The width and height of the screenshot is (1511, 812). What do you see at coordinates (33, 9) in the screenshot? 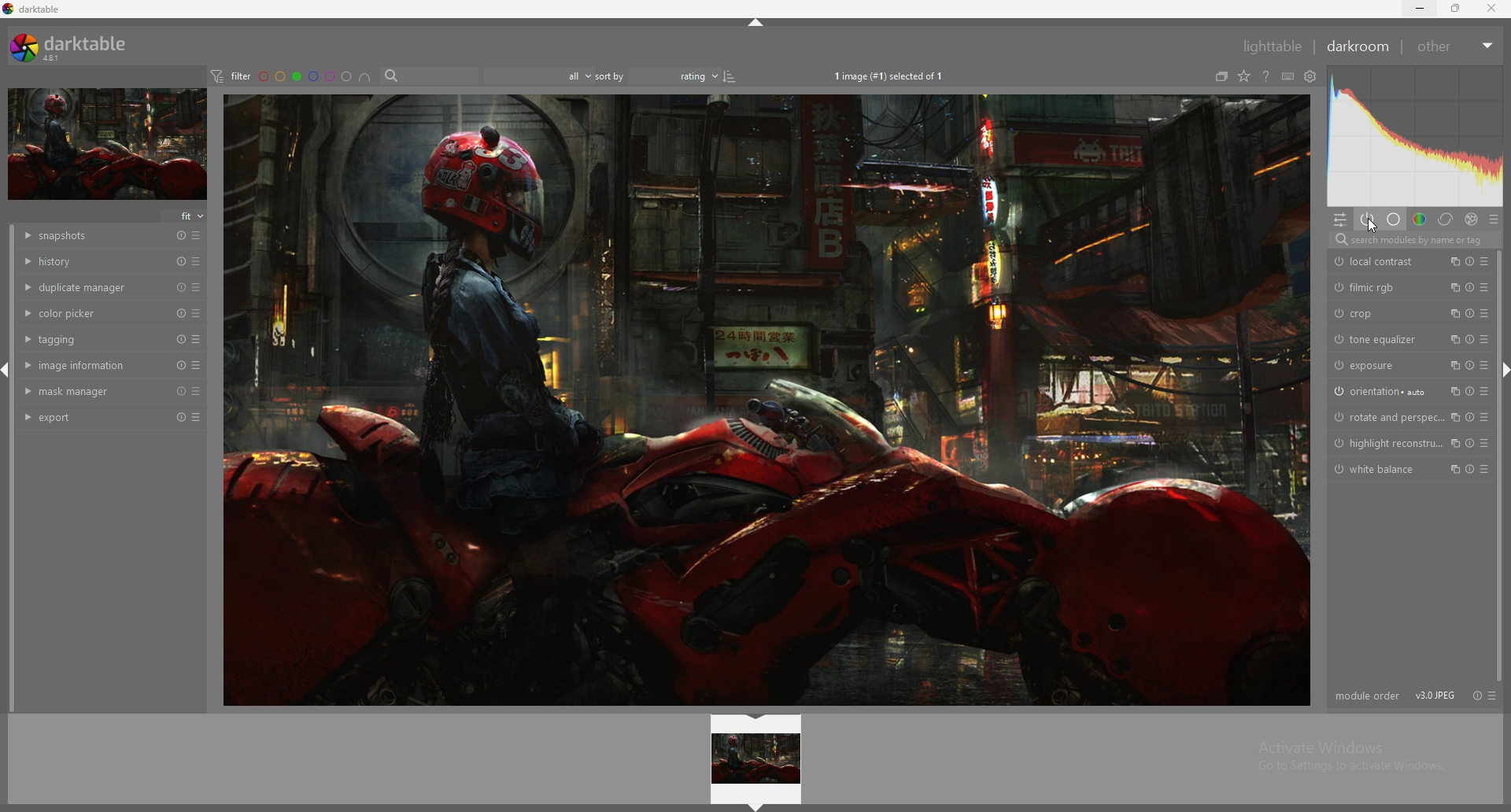
I see `darktable` at bounding box center [33, 9].